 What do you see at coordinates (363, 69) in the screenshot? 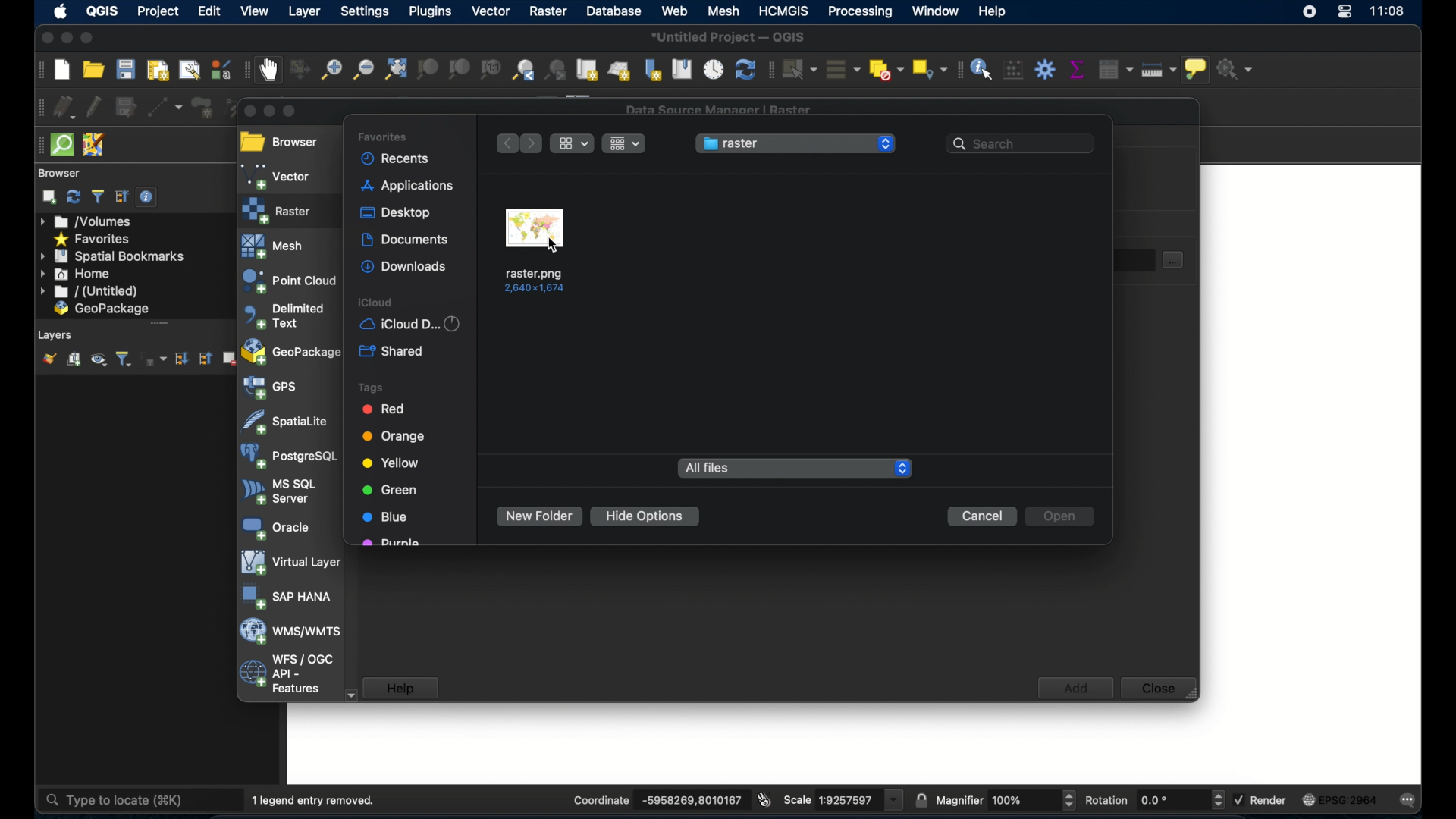
I see `zoom out` at bounding box center [363, 69].